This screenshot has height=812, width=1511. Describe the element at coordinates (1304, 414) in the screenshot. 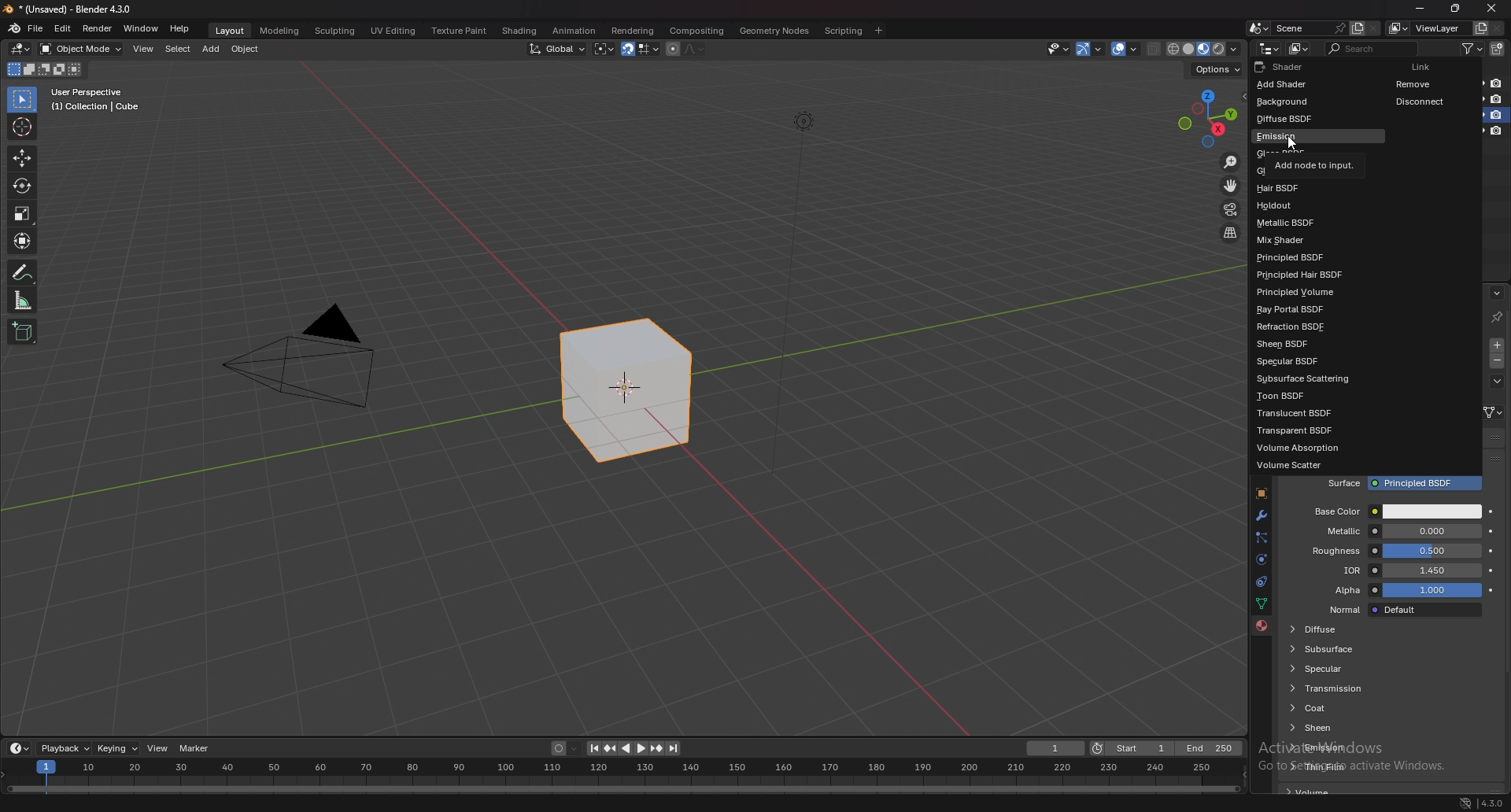

I see `translucent bsdf` at that location.